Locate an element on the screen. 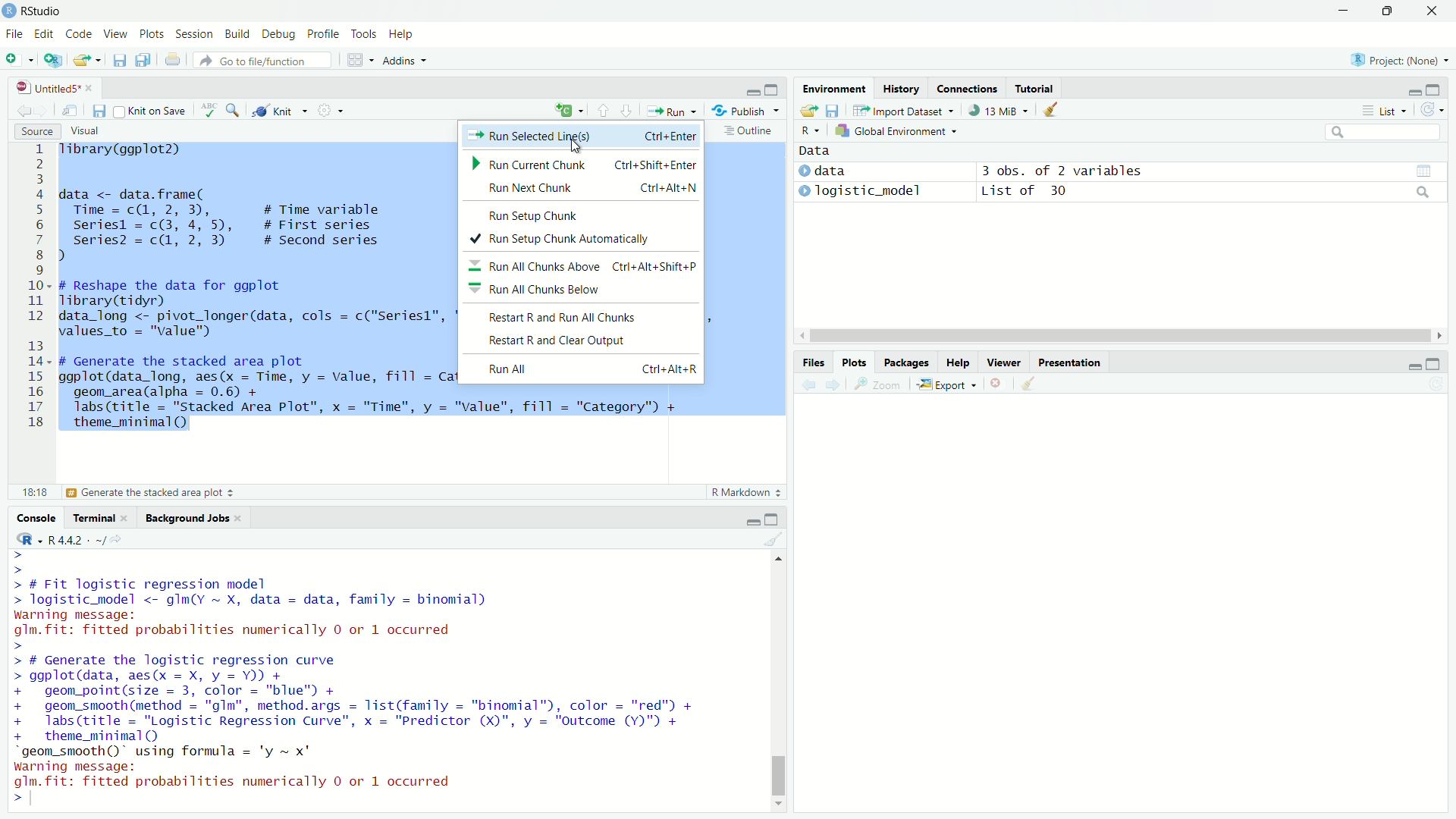  Global Environment = is located at coordinates (892, 131).